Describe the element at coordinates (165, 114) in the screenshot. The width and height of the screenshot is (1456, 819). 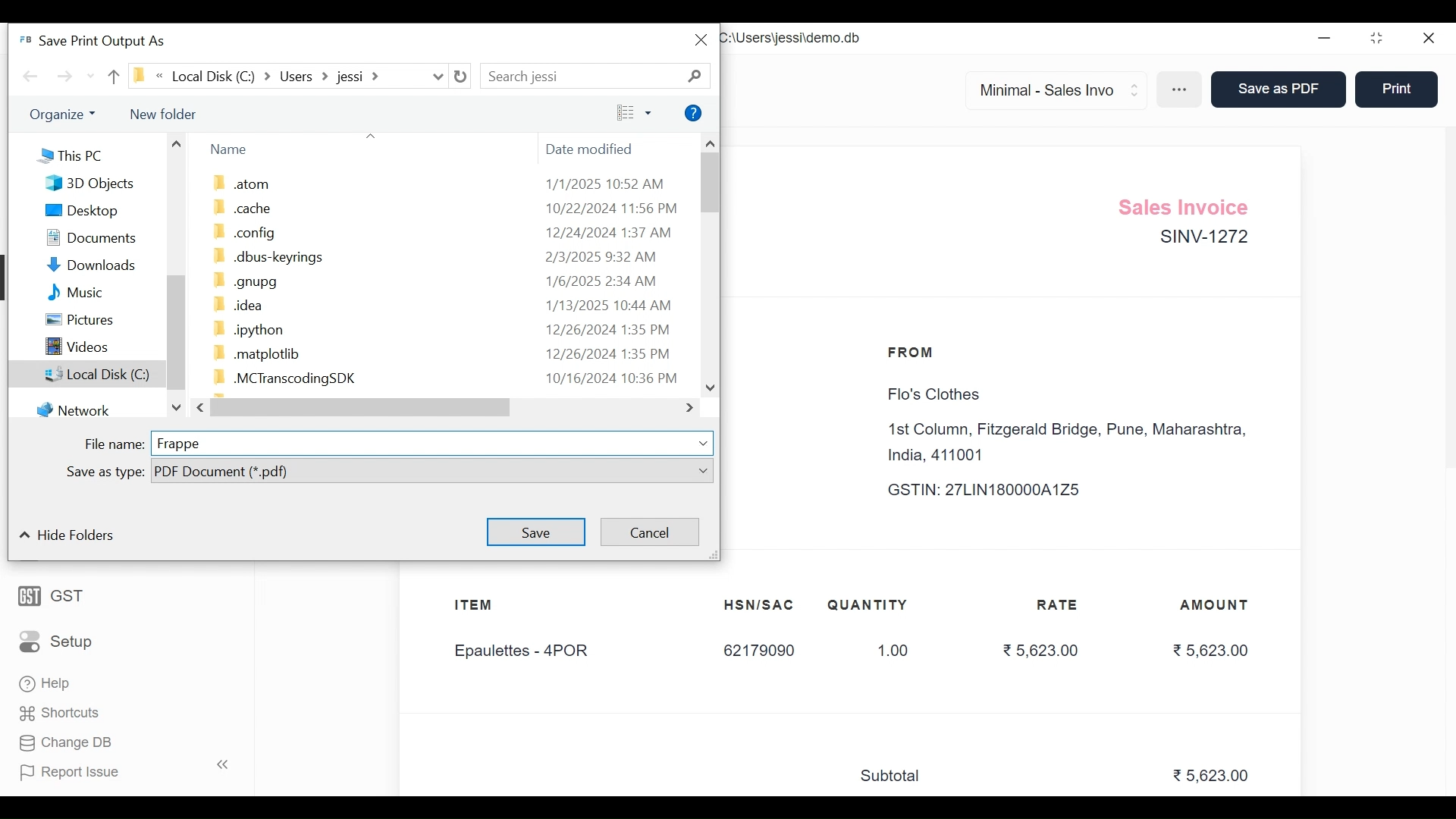
I see `New folder` at that location.